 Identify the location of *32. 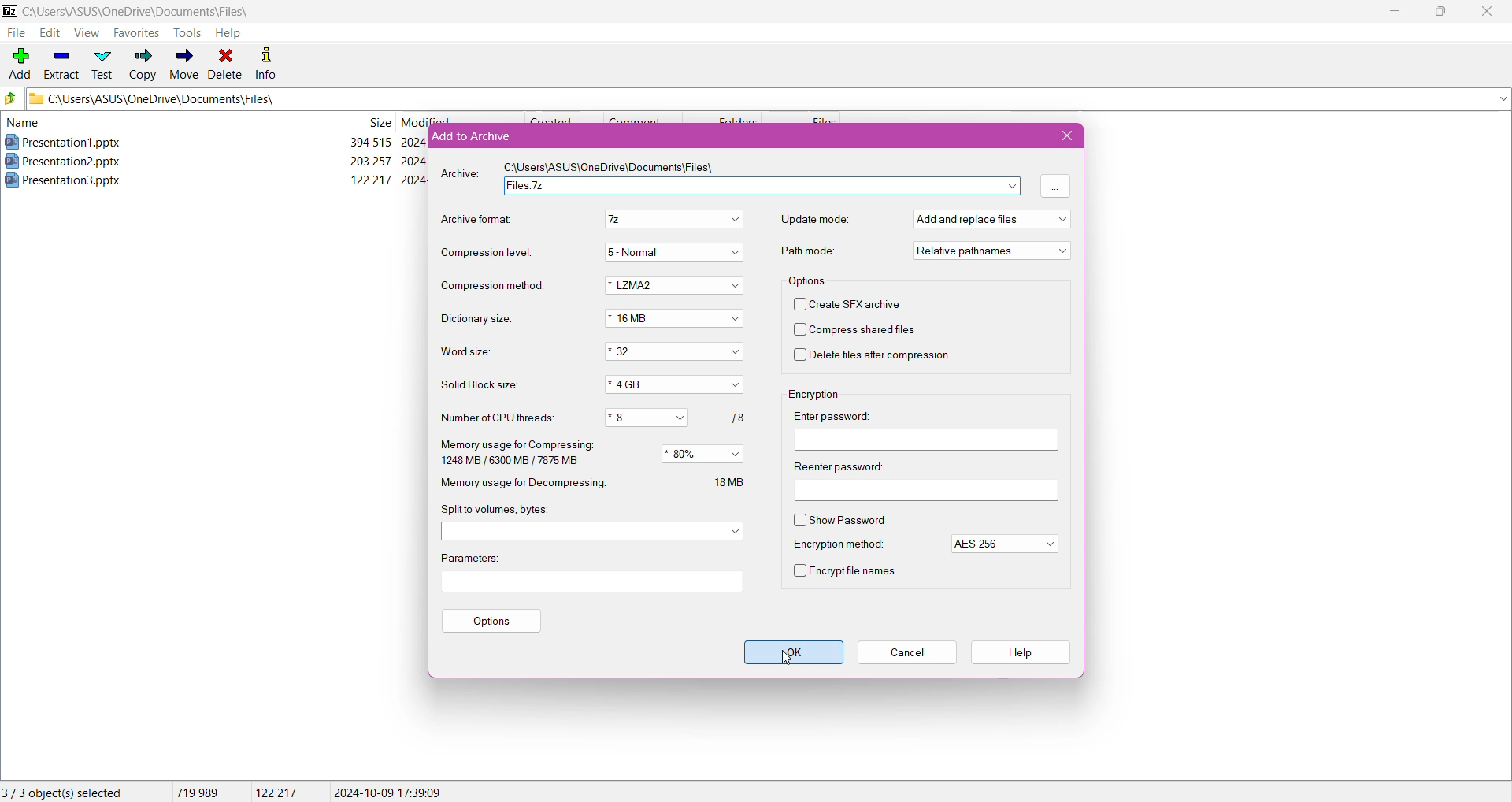
(676, 351).